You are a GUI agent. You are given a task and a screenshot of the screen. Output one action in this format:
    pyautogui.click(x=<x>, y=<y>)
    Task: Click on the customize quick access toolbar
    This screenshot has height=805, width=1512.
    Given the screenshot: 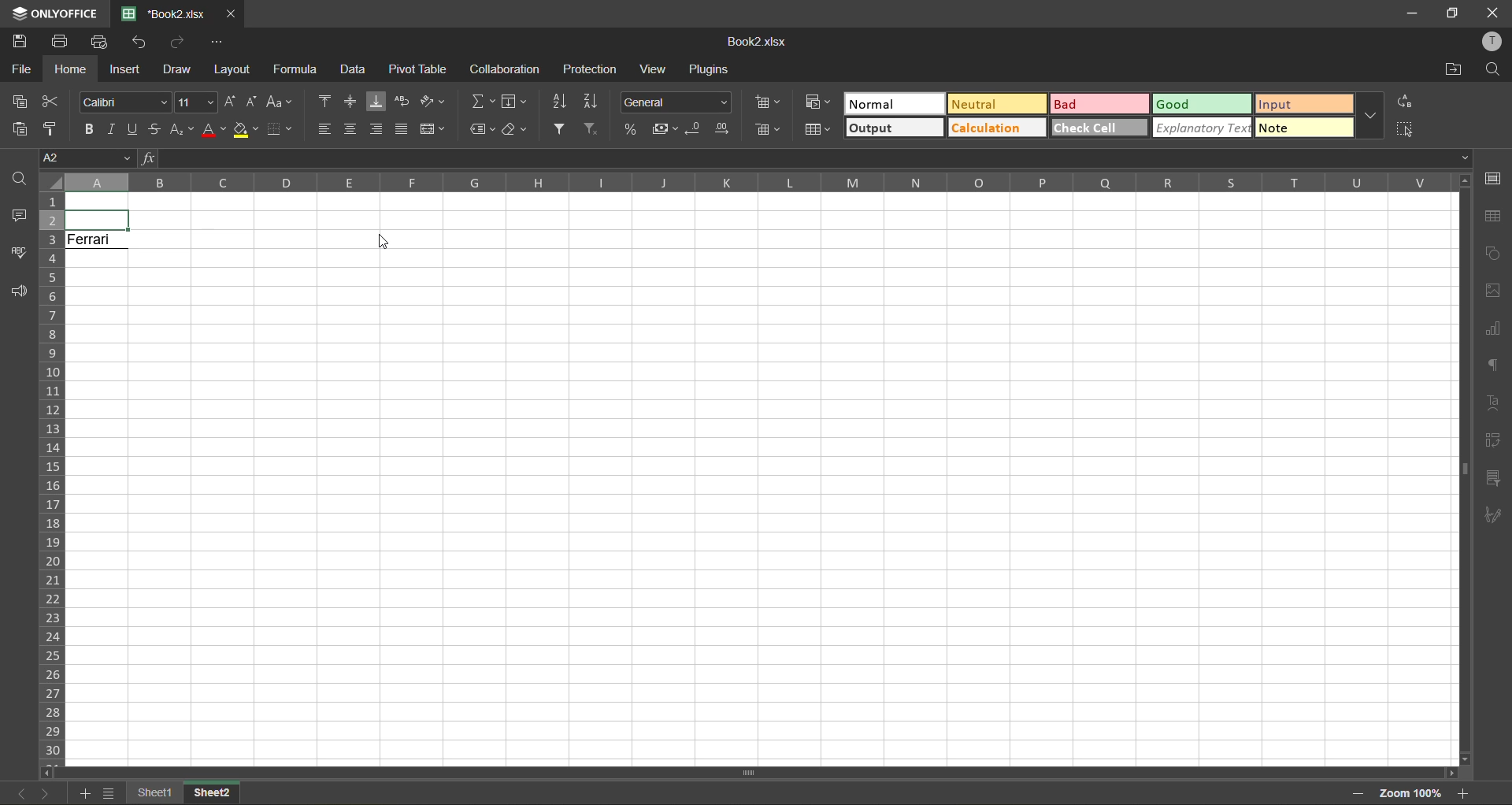 What is the action you would take?
    pyautogui.click(x=218, y=46)
    